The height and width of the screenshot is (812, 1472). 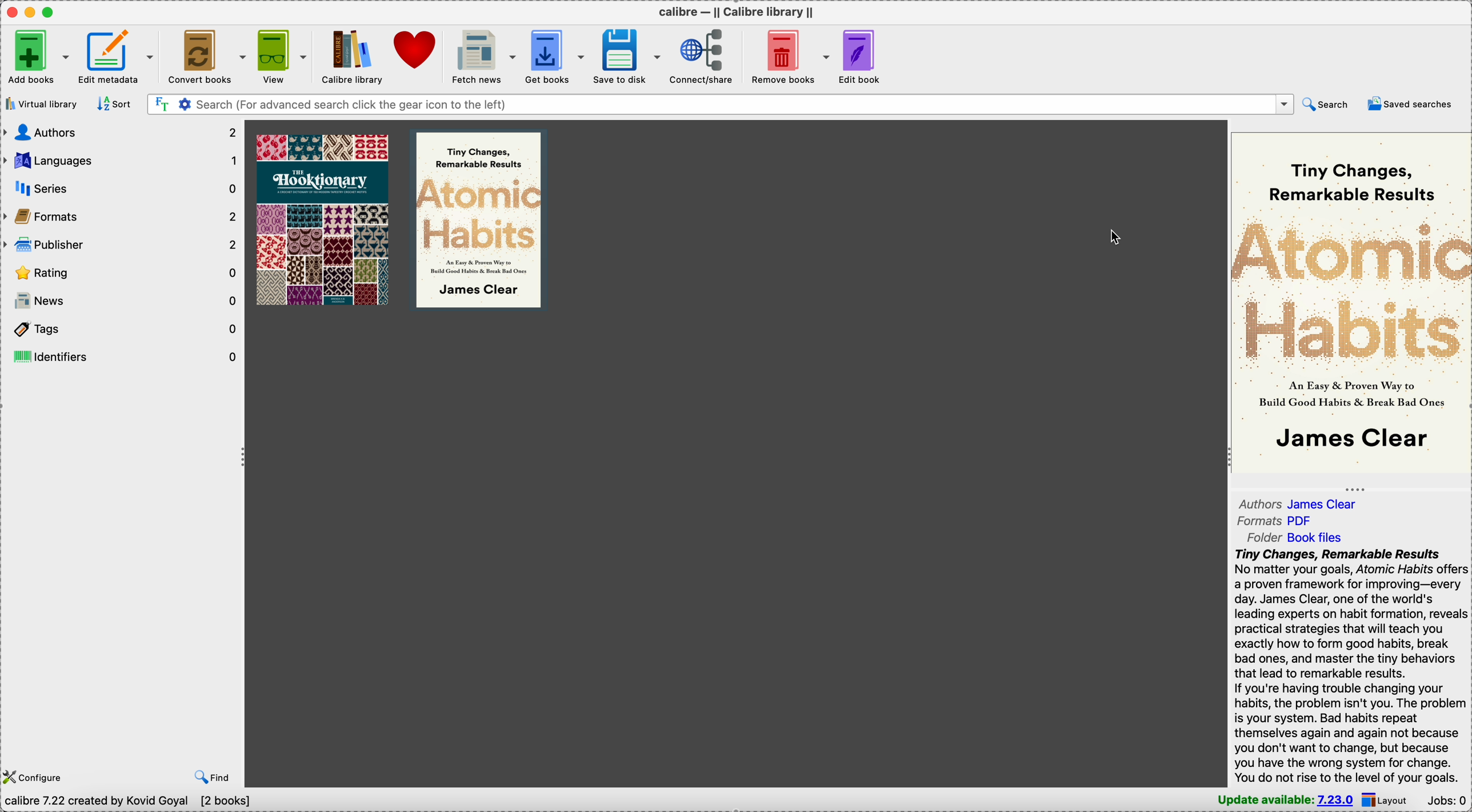 What do you see at coordinates (733, 103) in the screenshot?
I see `search (for advanced search click the gear icon to the left)` at bounding box center [733, 103].